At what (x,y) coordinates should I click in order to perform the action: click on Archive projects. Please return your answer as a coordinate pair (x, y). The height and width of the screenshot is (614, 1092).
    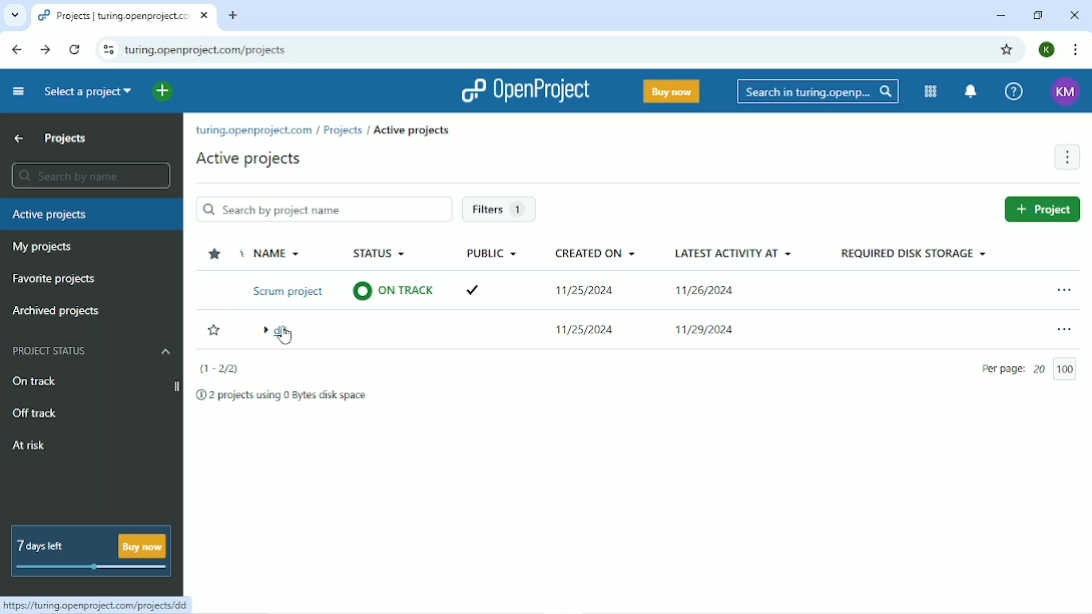
    Looking at the image, I should click on (412, 132).